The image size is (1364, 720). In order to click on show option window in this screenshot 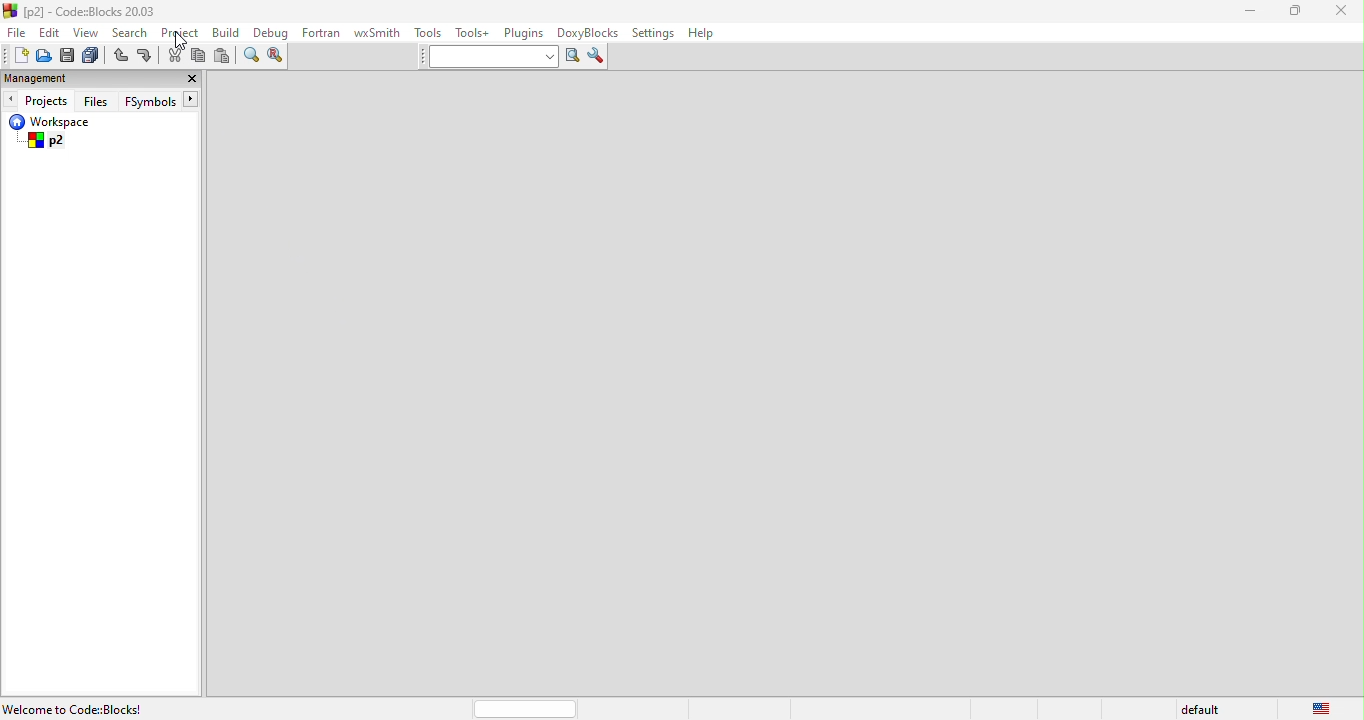, I will do `click(598, 57)`.